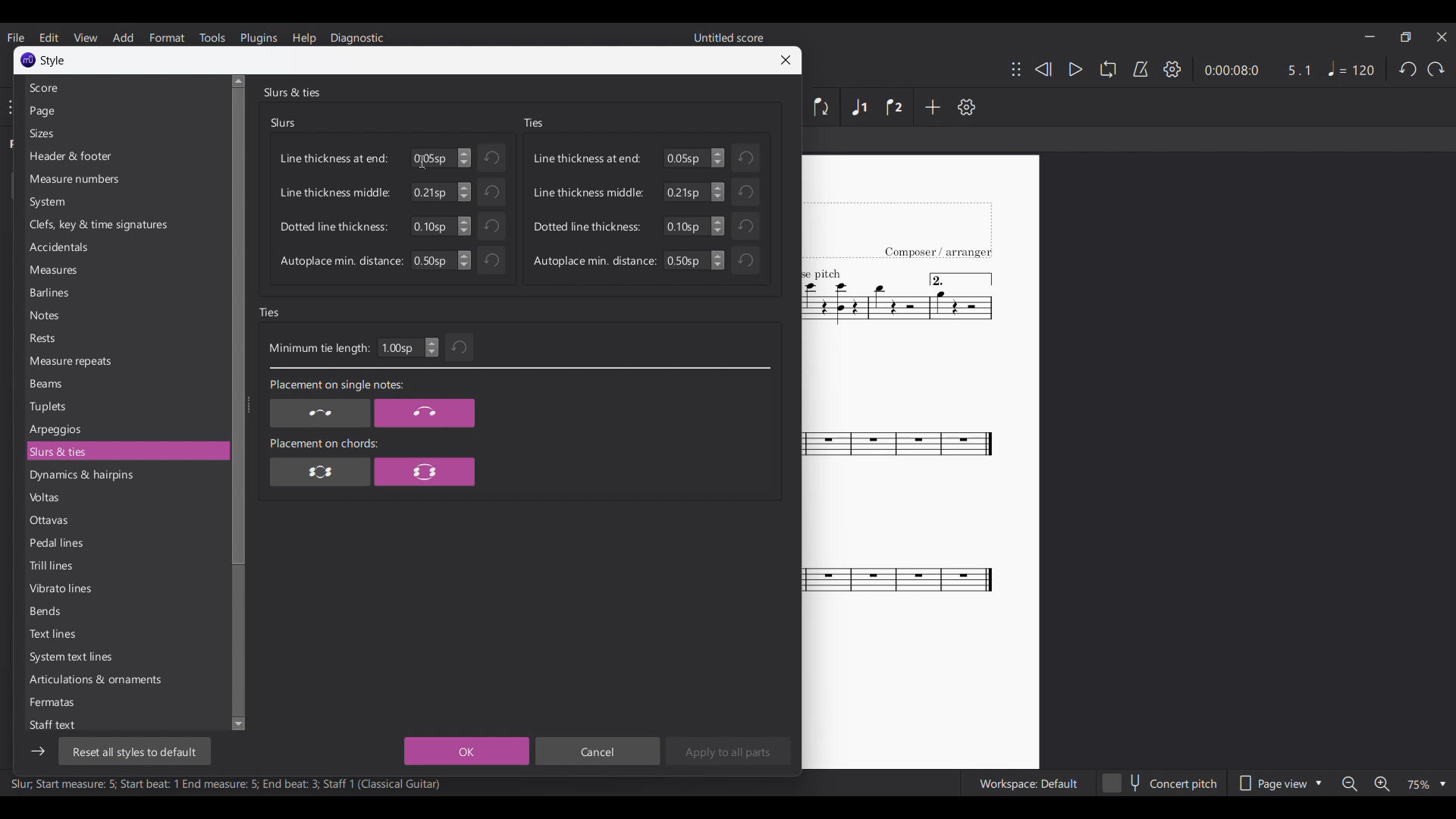  Describe the element at coordinates (321, 471) in the screenshot. I see `Placement on chords option 1` at that location.